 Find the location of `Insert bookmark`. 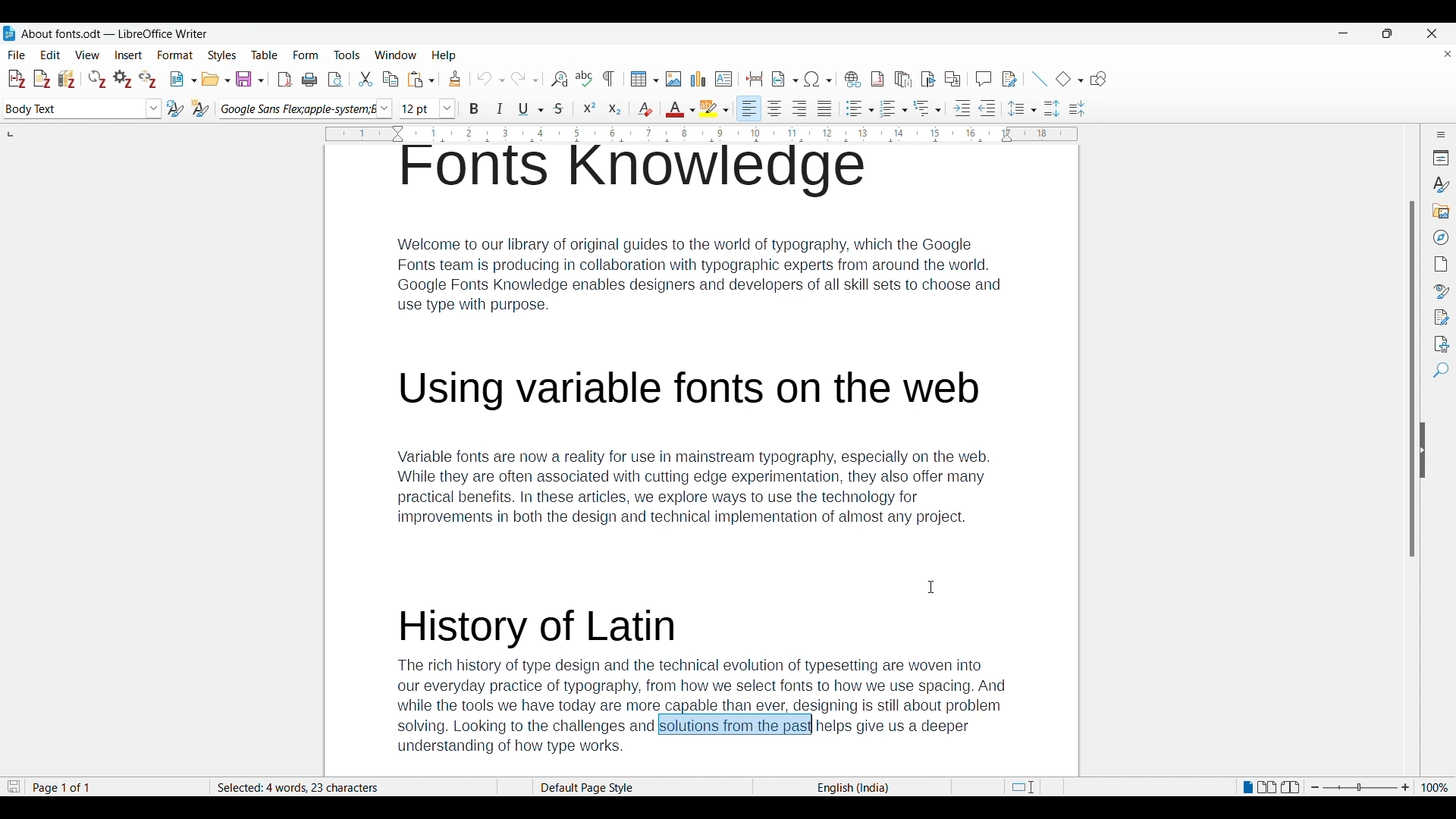

Insert bookmark is located at coordinates (928, 78).